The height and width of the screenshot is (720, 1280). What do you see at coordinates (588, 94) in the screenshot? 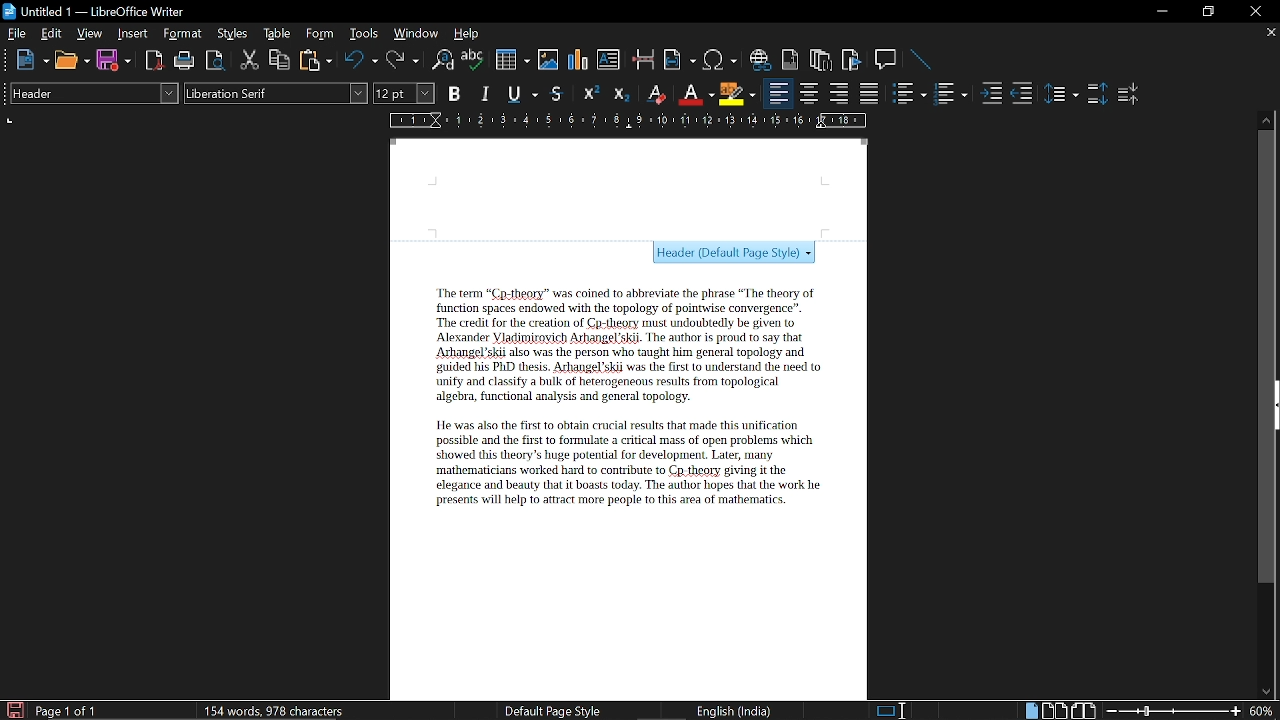
I see `Superscript` at bounding box center [588, 94].